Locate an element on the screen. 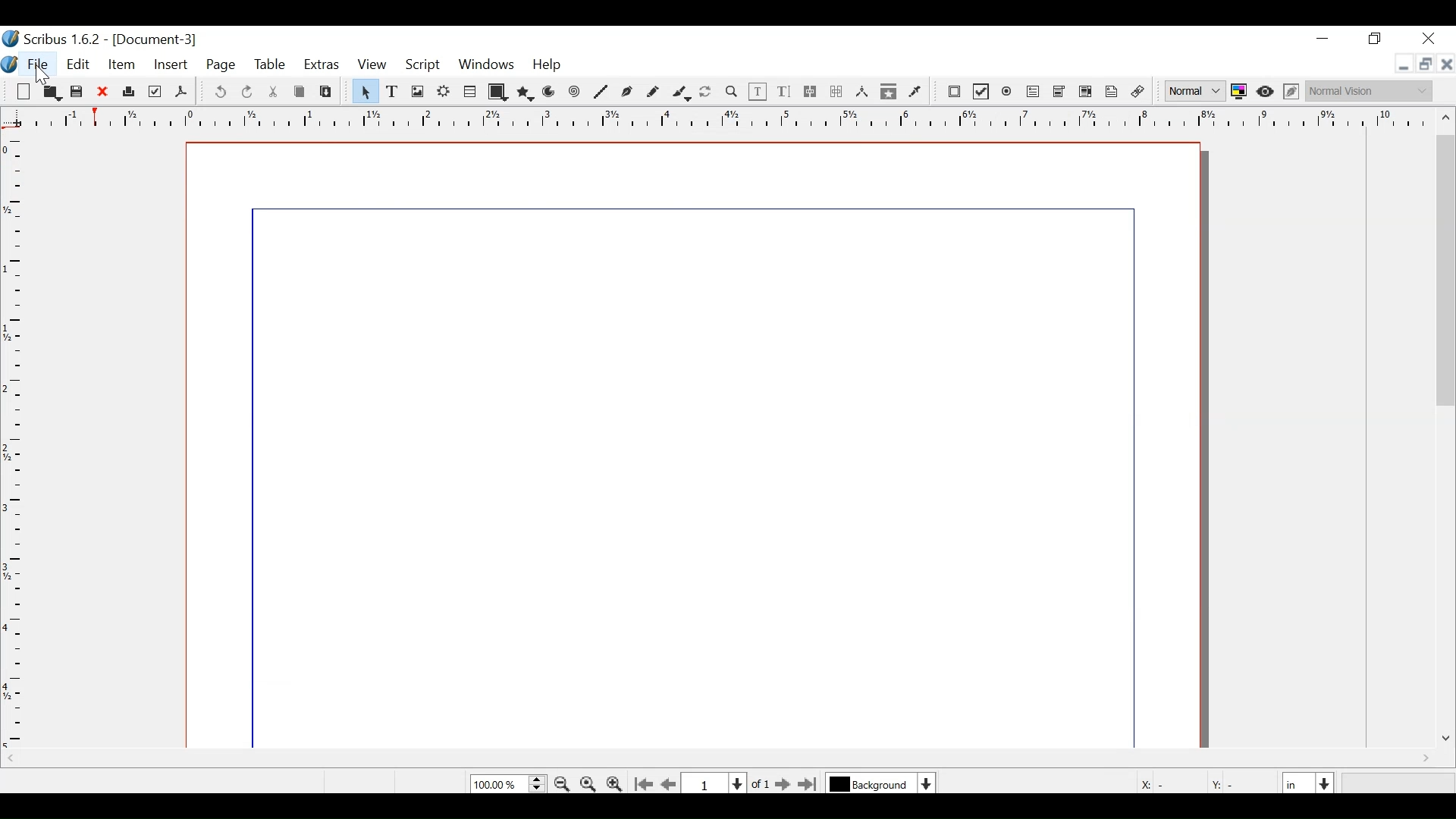 The image size is (1456, 819). Unlink Annotation is located at coordinates (1138, 93).